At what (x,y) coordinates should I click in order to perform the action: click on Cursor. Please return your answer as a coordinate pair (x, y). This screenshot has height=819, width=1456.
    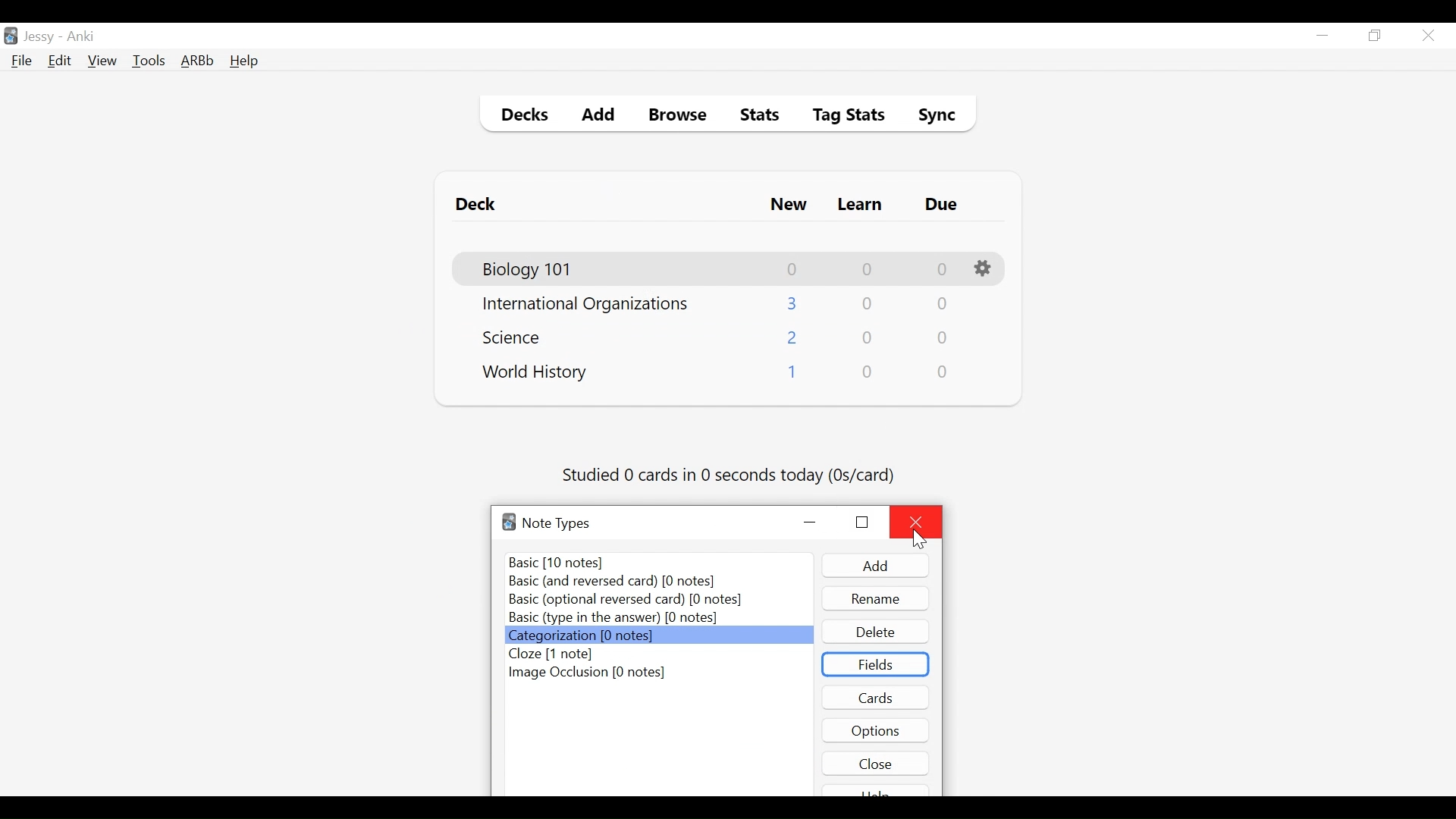
    Looking at the image, I should click on (920, 539).